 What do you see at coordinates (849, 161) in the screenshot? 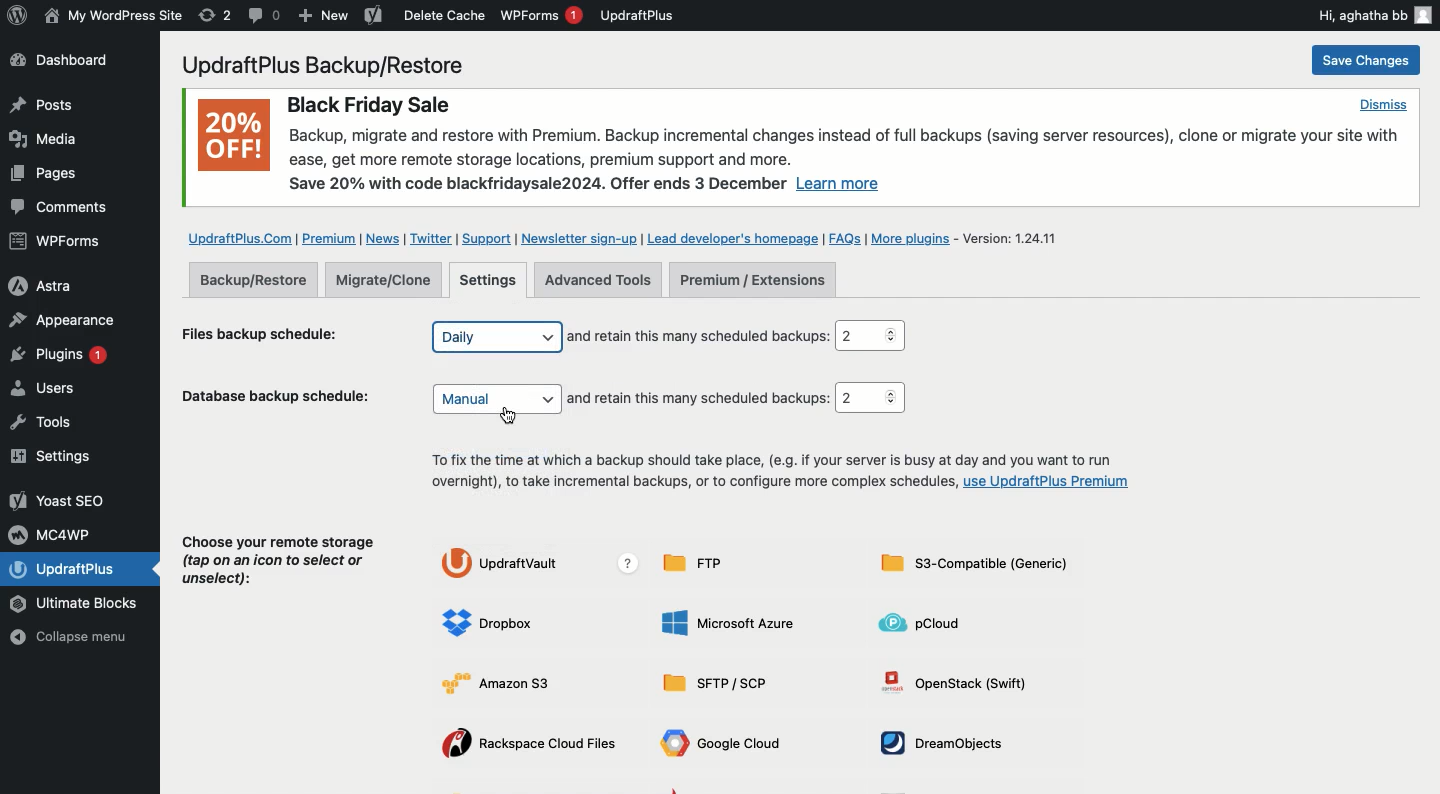
I see `Backup, migrate and restore with Premium. Backup incremental changes instead of full backups (saving server resources), clone or migrate your site withease, get more remote storage locations, premium support and more. Save 20% with code blackfridaysale2024. Offer ends 3 December Learn more` at bounding box center [849, 161].